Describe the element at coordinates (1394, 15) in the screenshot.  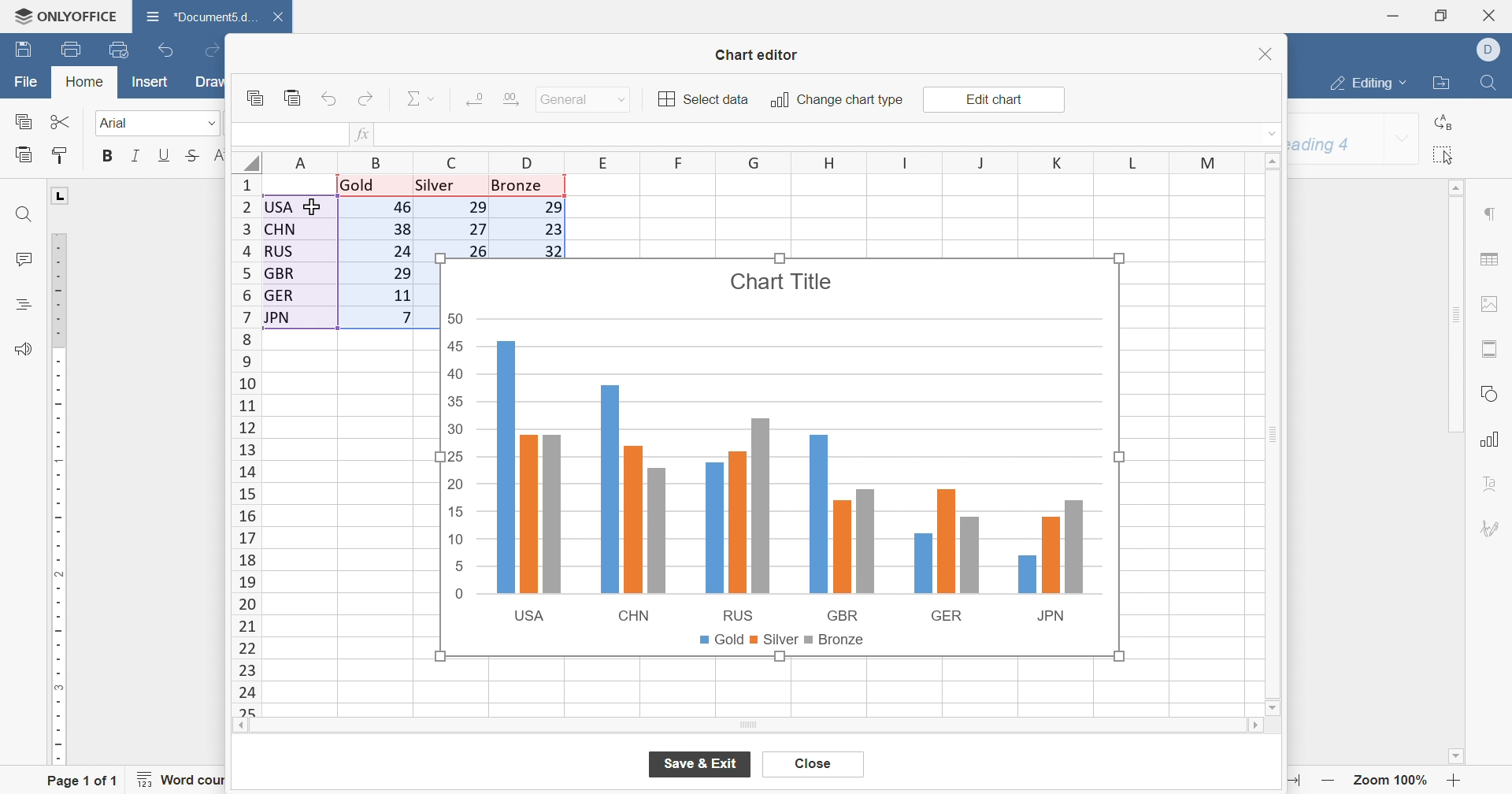
I see `minimize` at that location.